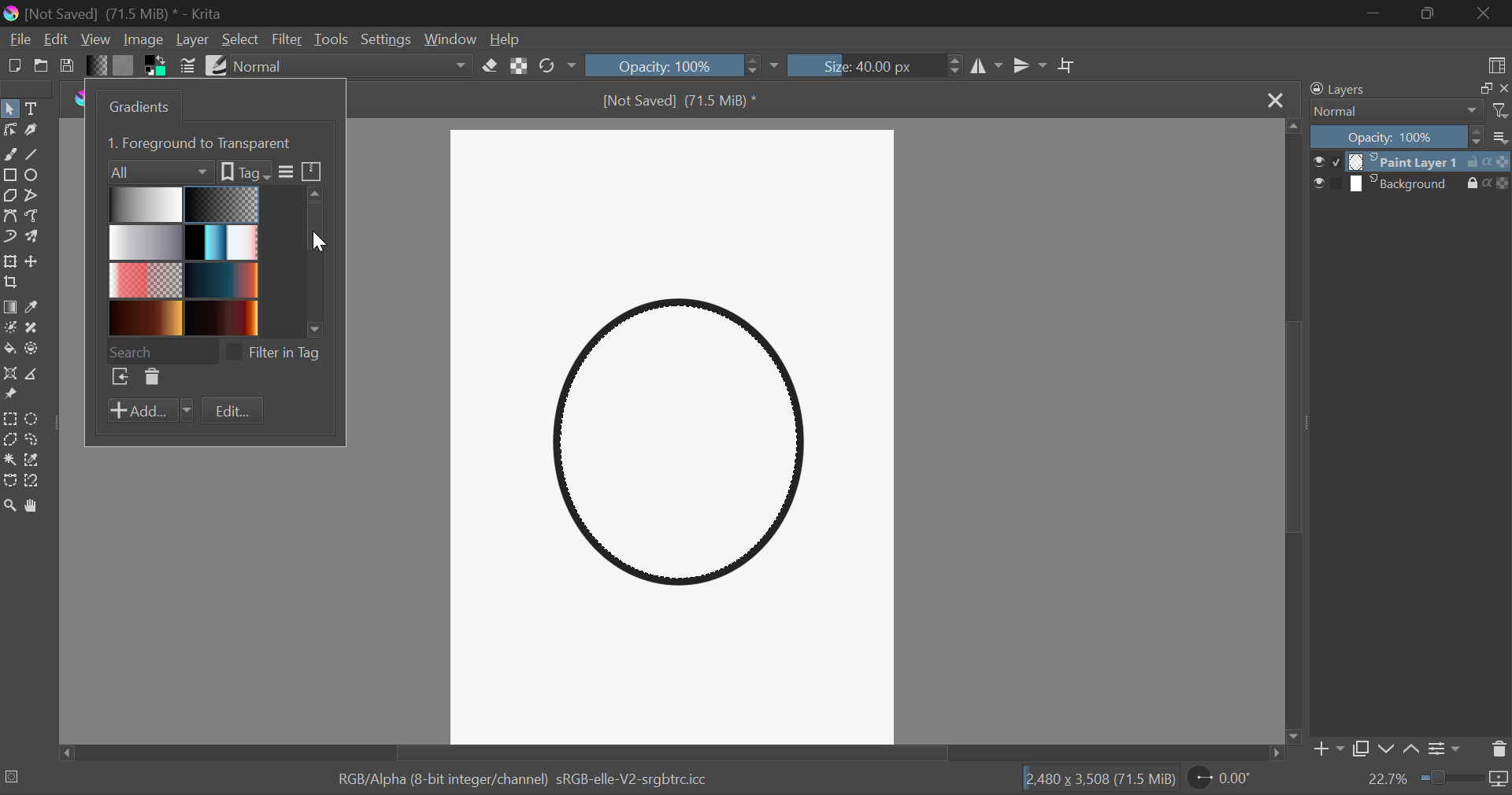 The image size is (1512, 795). I want to click on Scroll Bar, so click(670, 755).